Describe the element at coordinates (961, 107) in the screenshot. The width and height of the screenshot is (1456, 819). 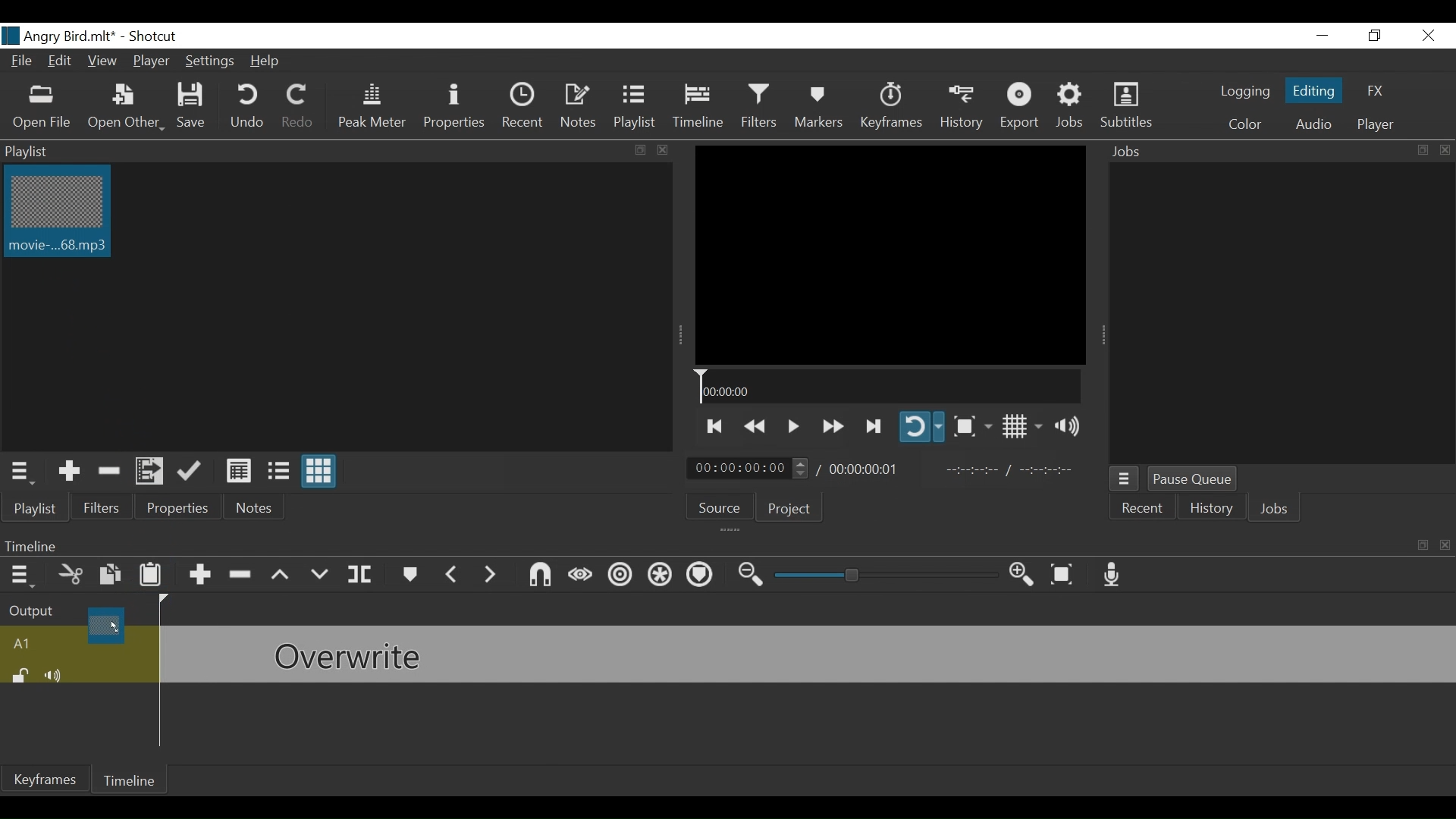
I see `History` at that location.